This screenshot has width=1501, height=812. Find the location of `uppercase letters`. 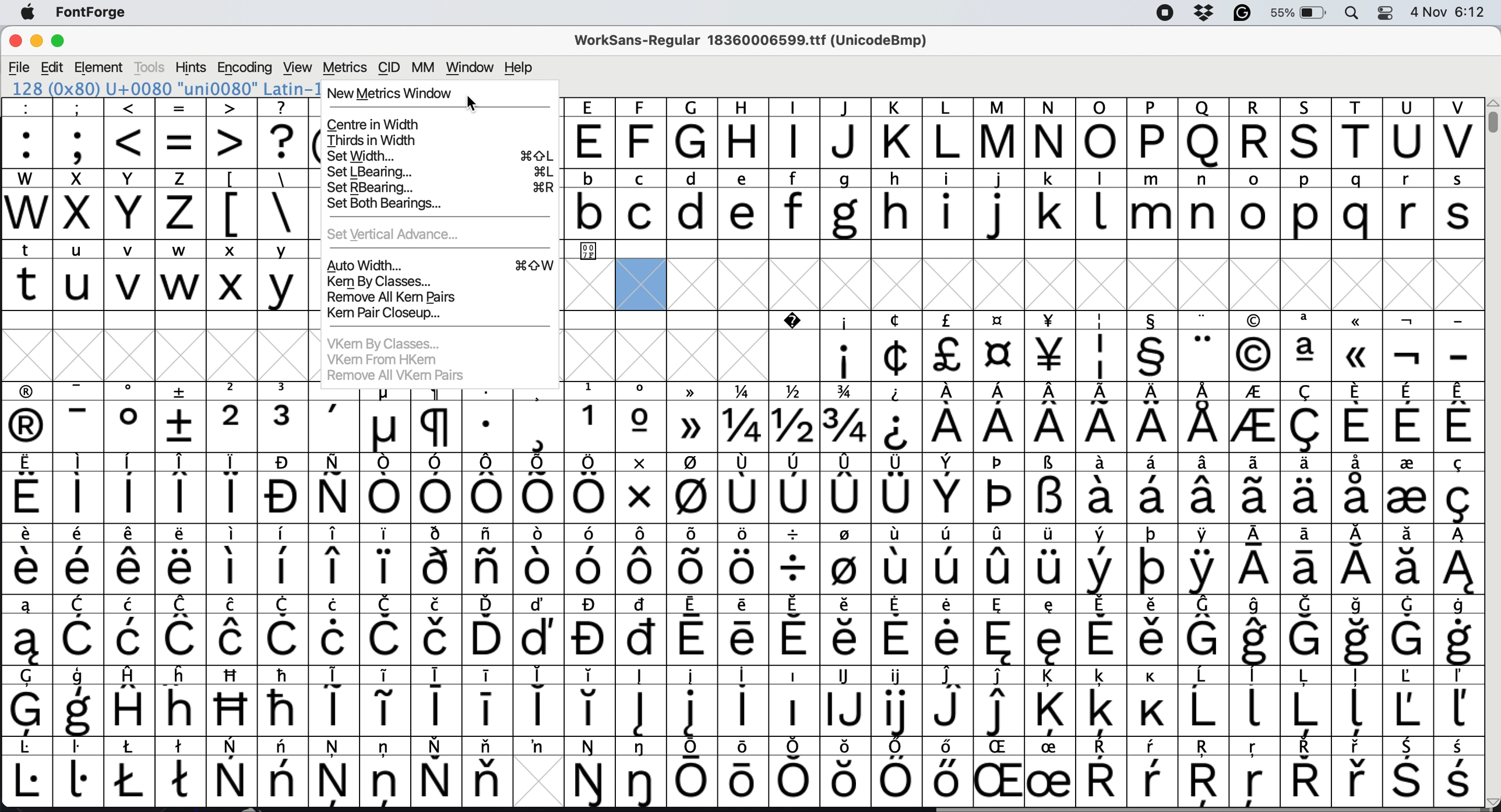

uppercase letters is located at coordinates (105, 179).